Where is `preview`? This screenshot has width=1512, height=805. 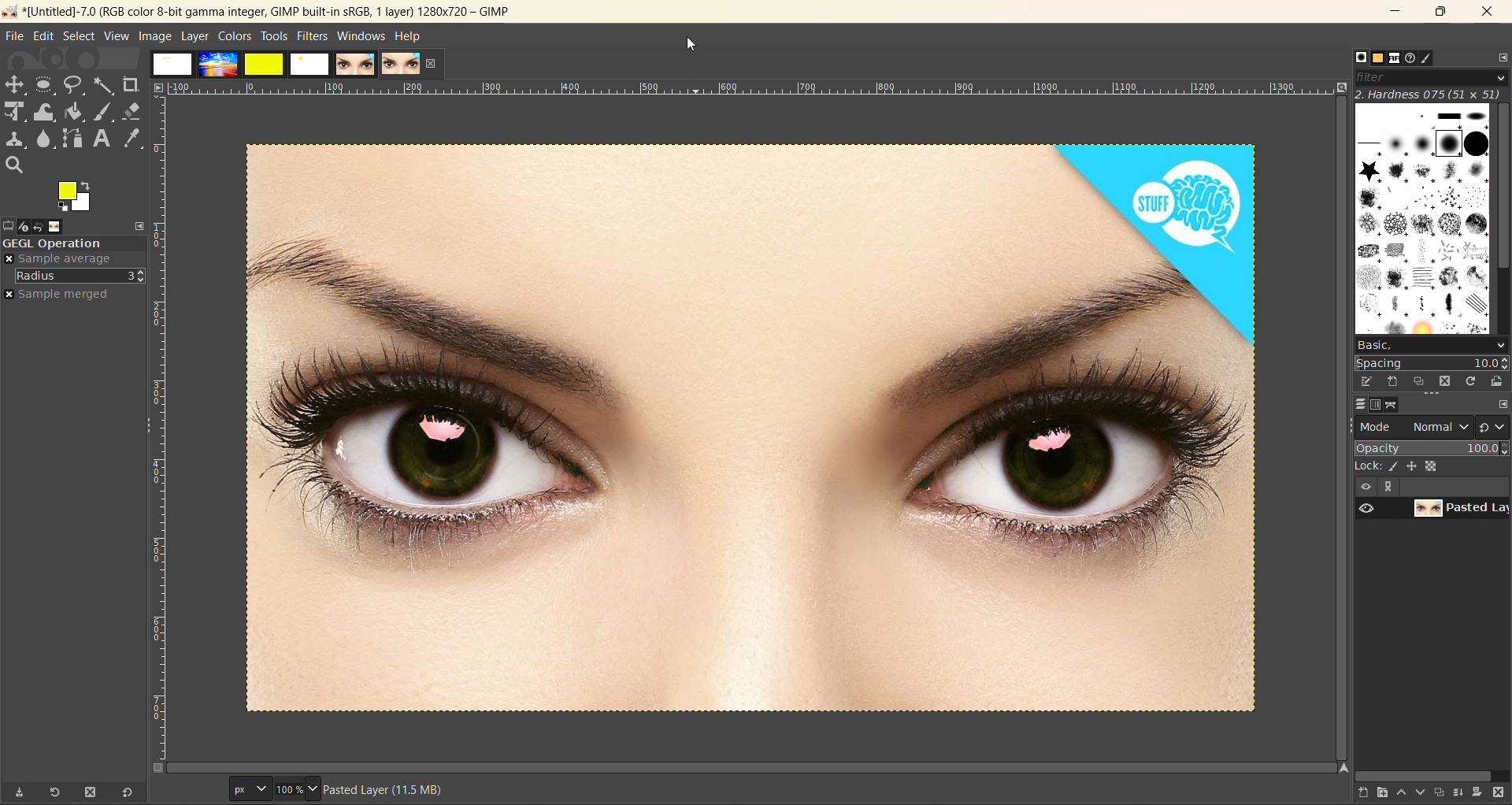 preview is located at coordinates (1366, 507).